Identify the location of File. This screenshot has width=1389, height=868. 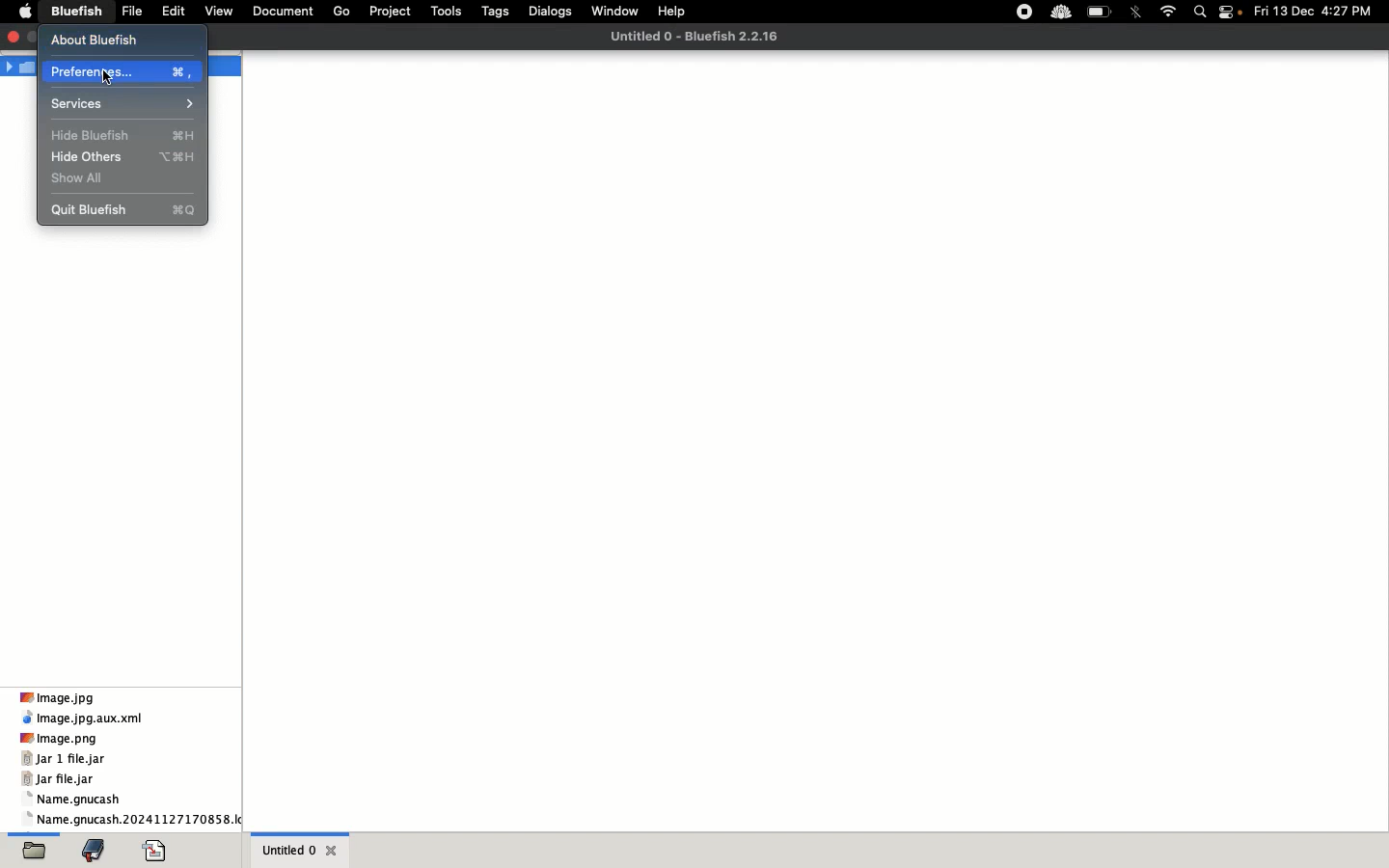
(131, 14).